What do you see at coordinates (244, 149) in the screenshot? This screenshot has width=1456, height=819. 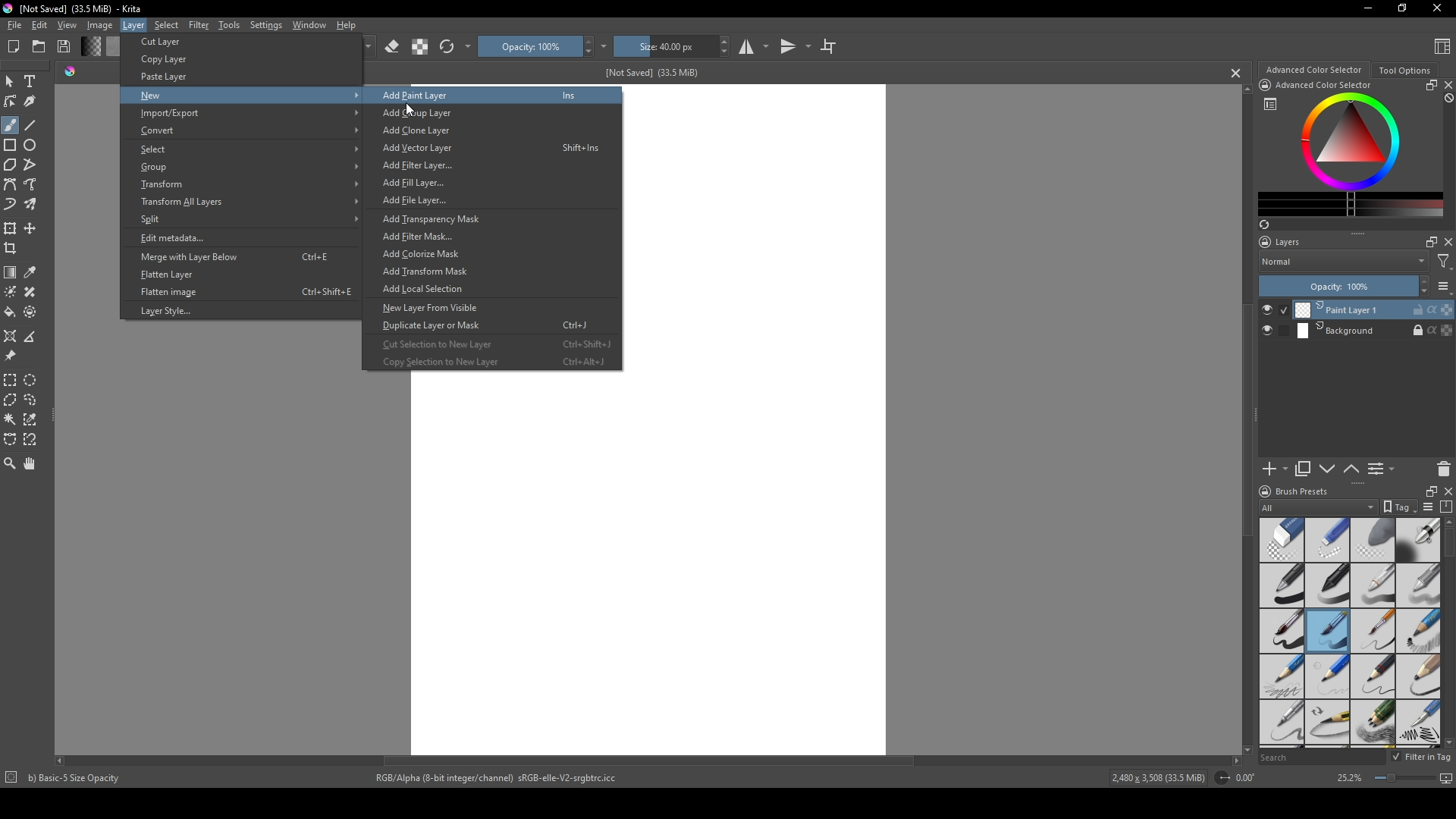 I see `Select` at bounding box center [244, 149].